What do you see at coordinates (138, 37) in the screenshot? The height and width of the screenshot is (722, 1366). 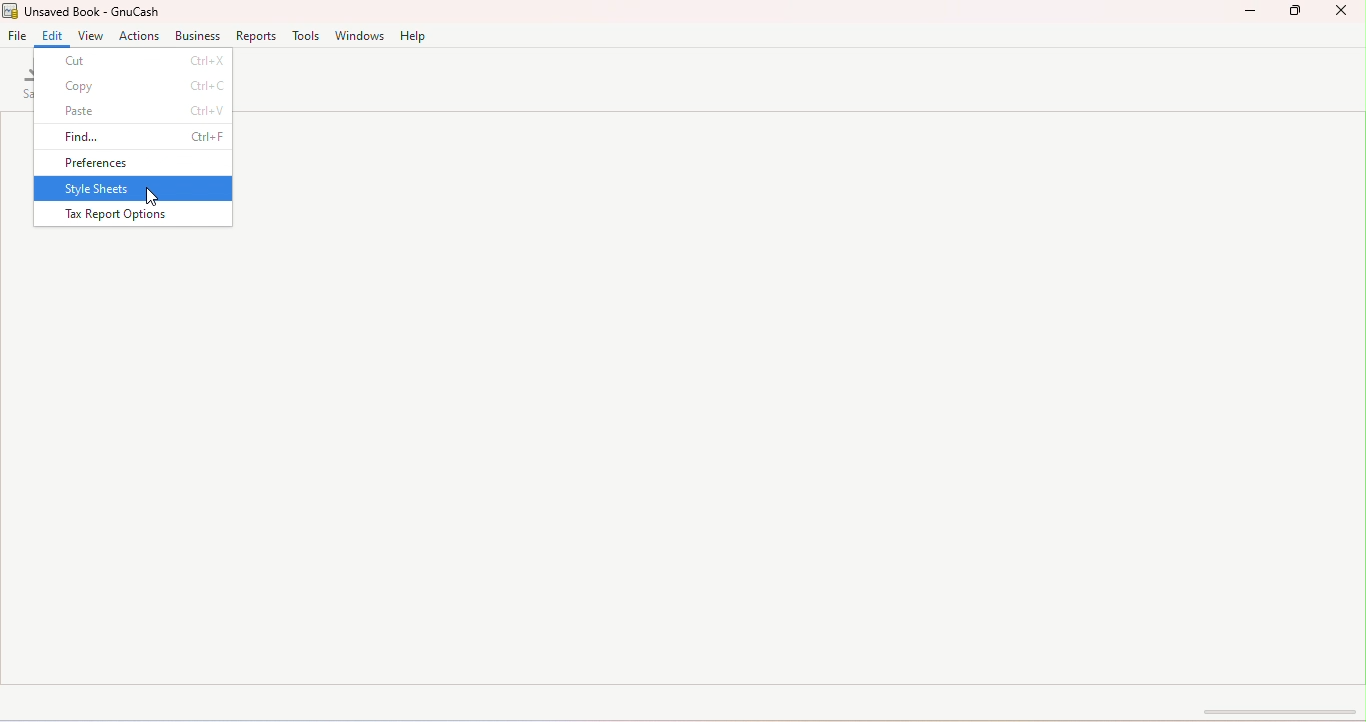 I see `actions` at bounding box center [138, 37].